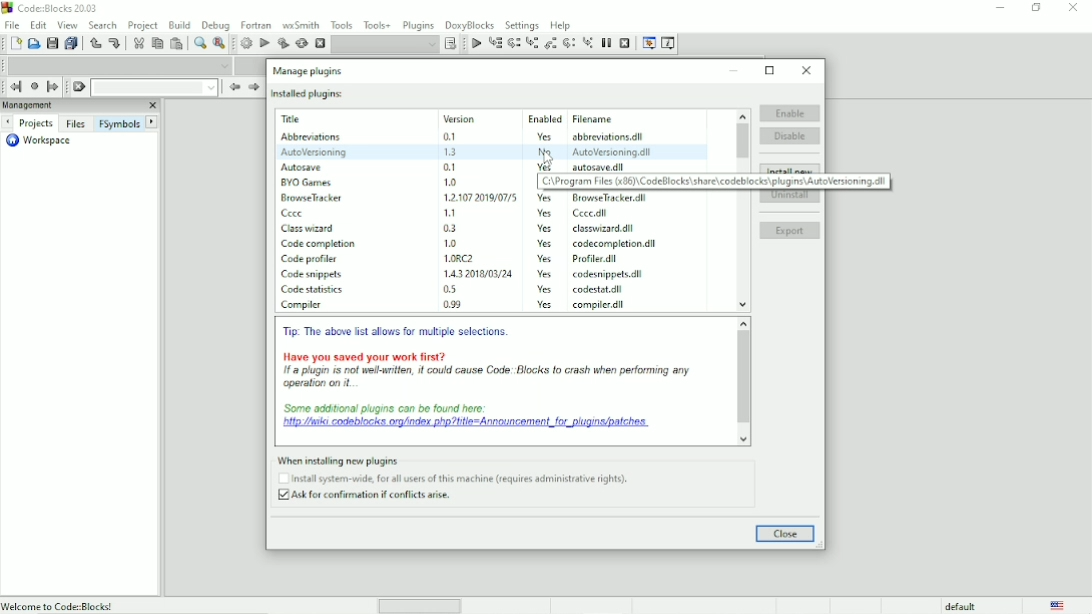 The width and height of the screenshot is (1092, 614). Describe the element at coordinates (745, 439) in the screenshot. I see `scroll down ` at that location.